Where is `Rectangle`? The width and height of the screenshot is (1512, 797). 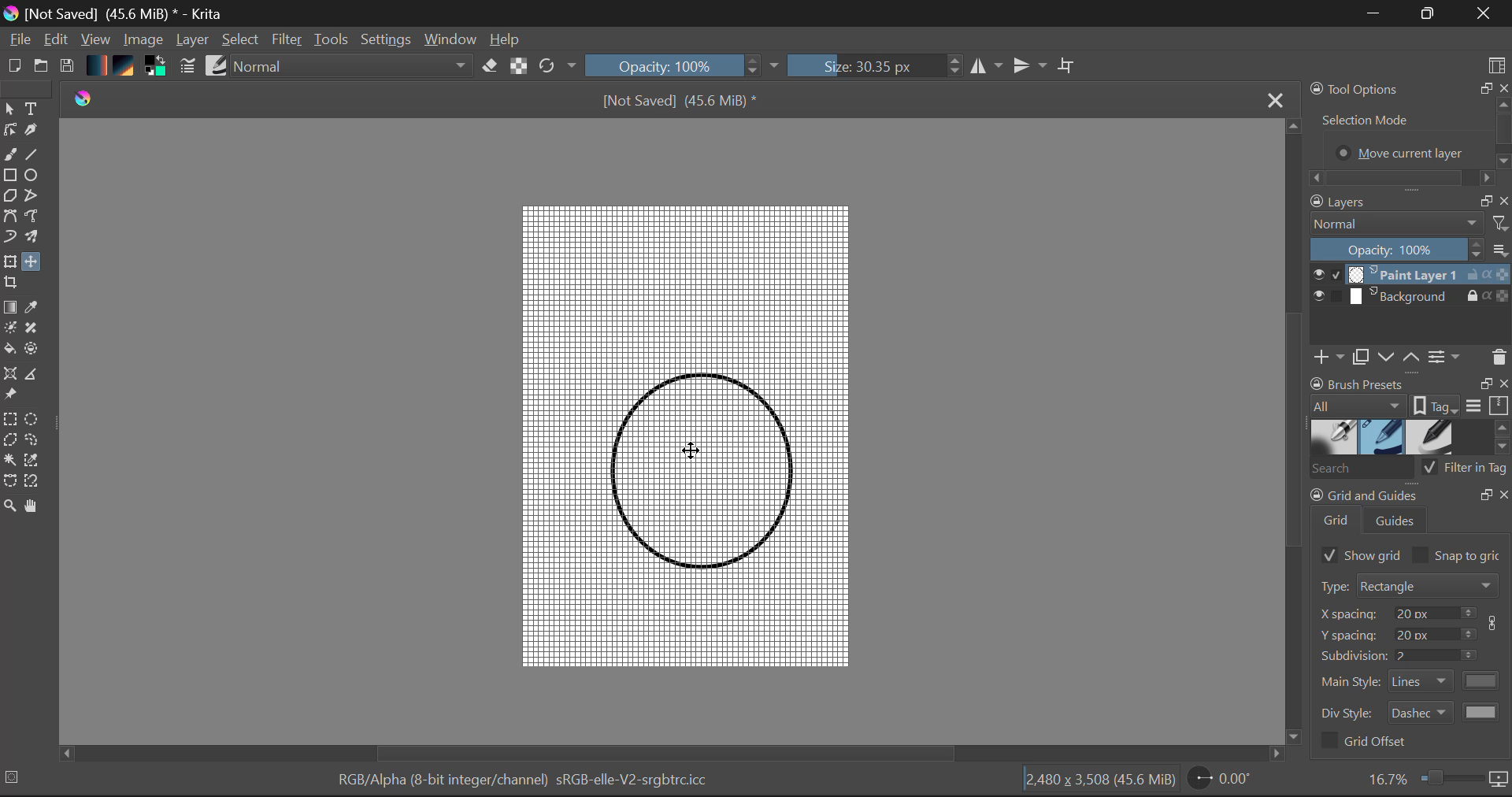
Rectangle is located at coordinates (9, 176).